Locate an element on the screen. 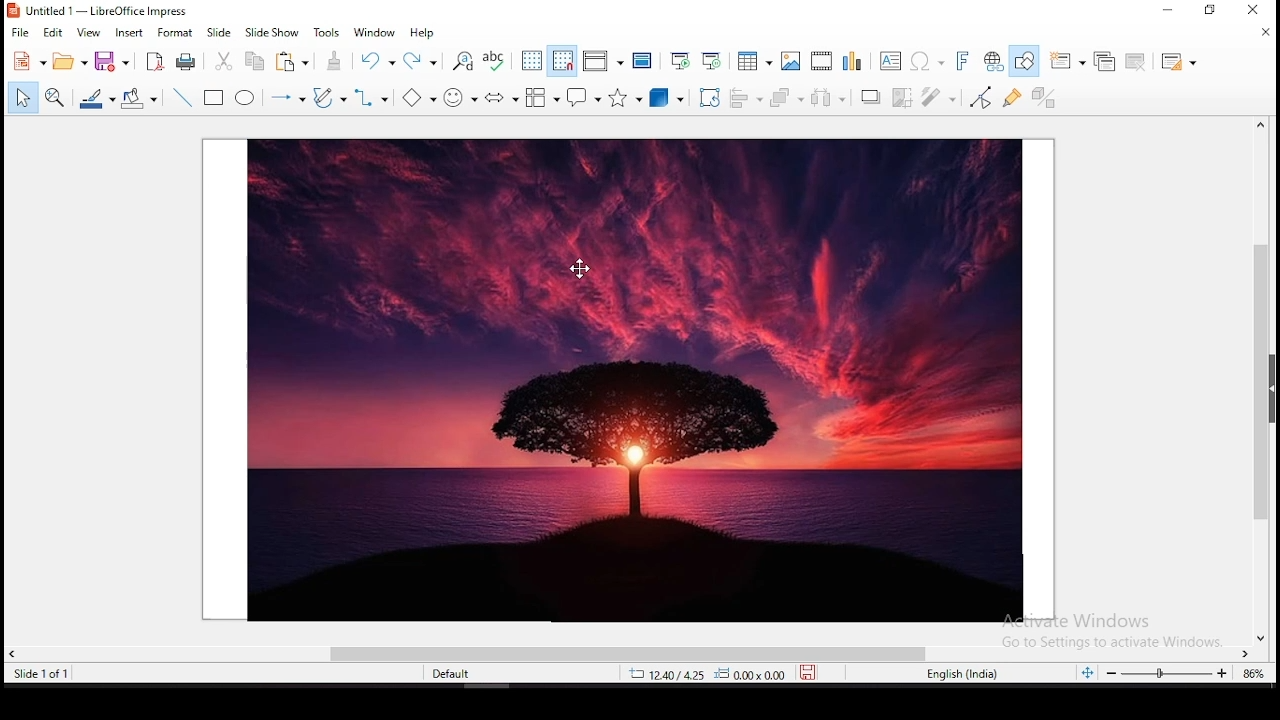  toggle point edit mode is located at coordinates (980, 97).